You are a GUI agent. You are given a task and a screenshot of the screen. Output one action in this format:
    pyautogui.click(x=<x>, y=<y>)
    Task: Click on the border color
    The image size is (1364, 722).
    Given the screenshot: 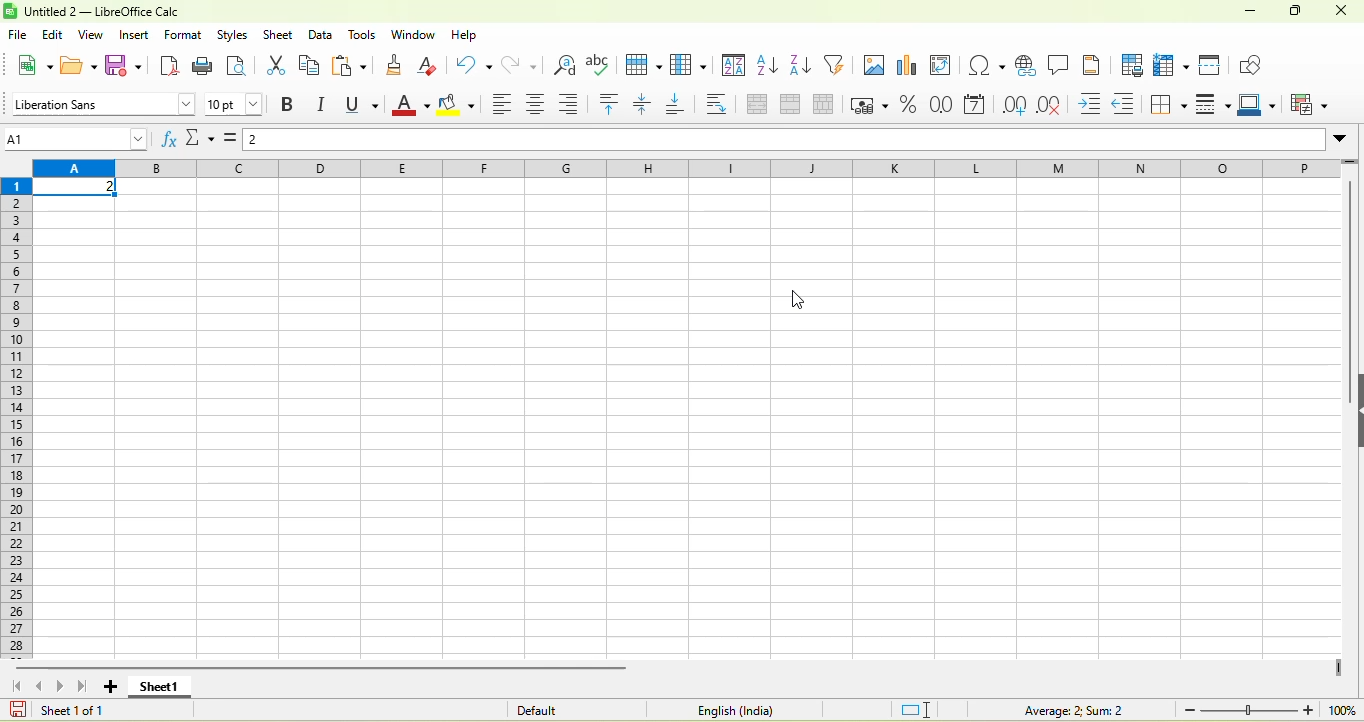 What is the action you would take?
    pyautogui.click(x=1261, y=106)
    